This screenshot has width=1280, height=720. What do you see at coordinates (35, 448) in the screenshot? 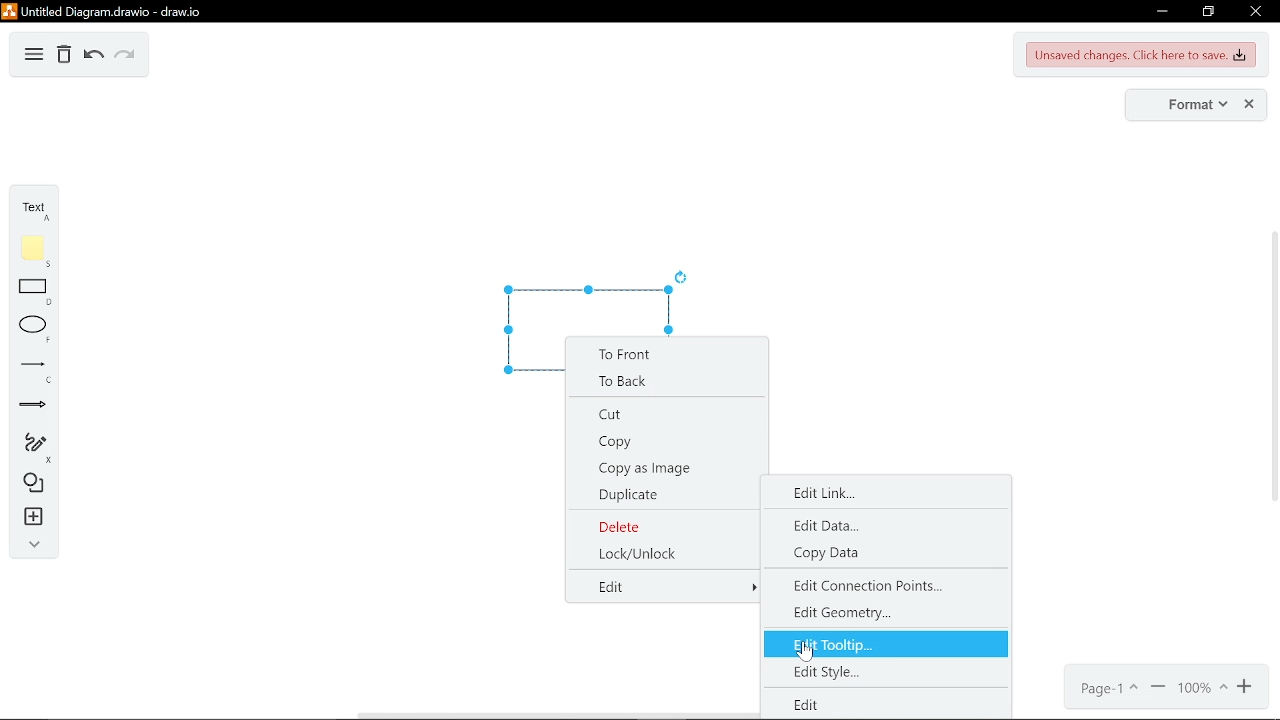
I see `freehand` at bounding box center [35, 448].